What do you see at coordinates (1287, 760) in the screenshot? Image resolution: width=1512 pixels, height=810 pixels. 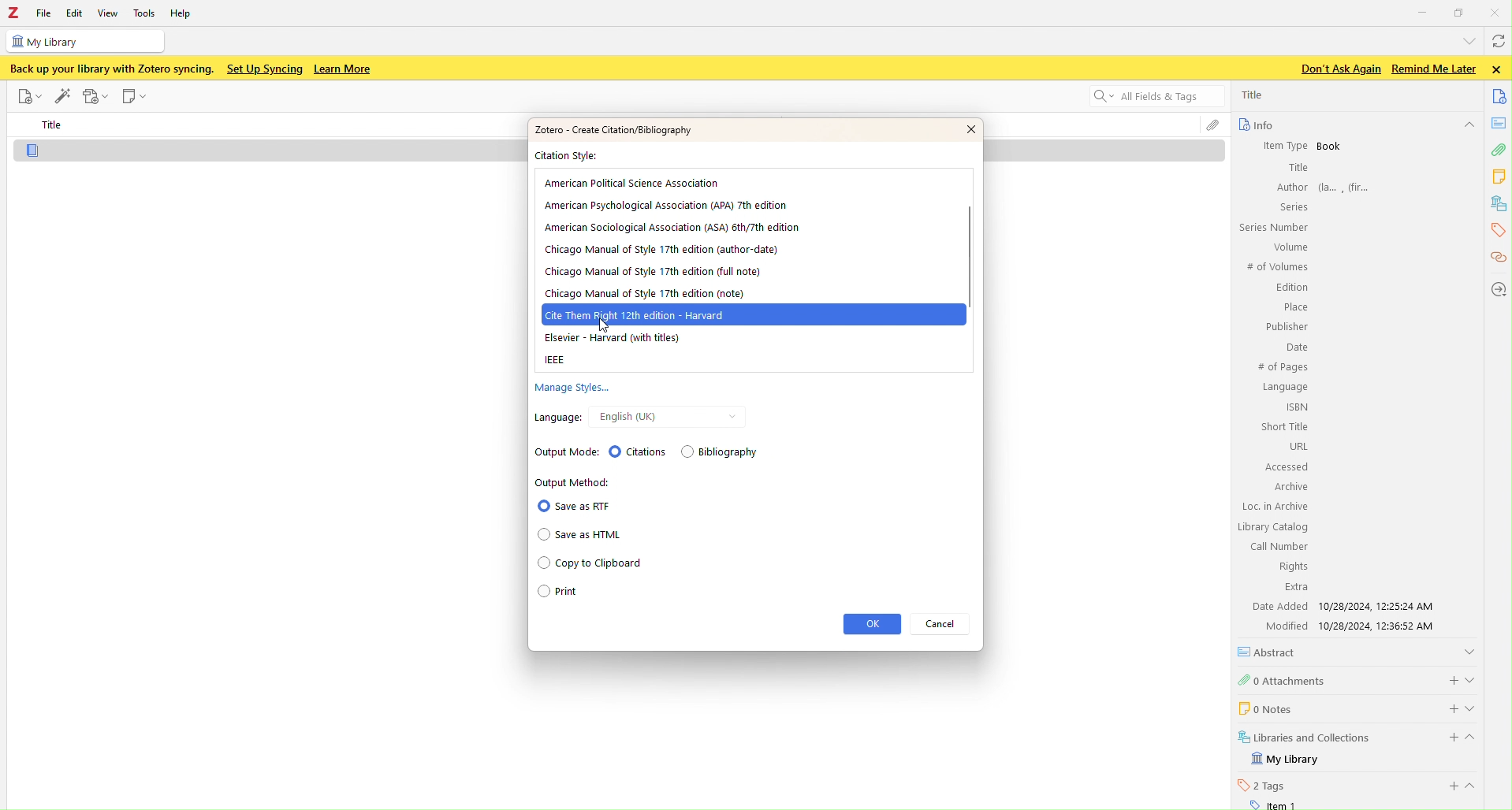 I see `My Library` at bounding box center [1287, 760].